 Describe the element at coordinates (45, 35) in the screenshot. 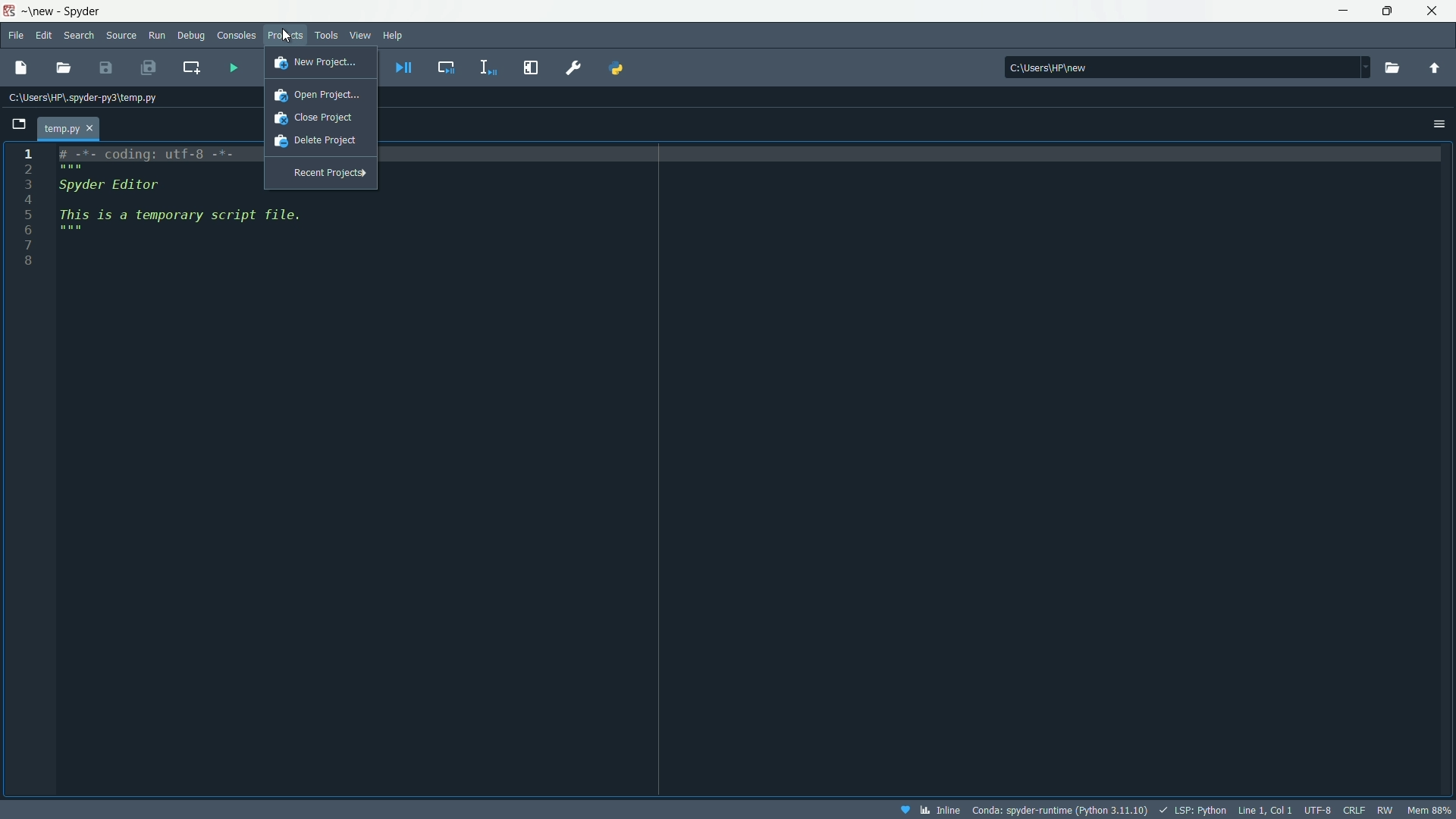

I see `Edit menu` at that location.